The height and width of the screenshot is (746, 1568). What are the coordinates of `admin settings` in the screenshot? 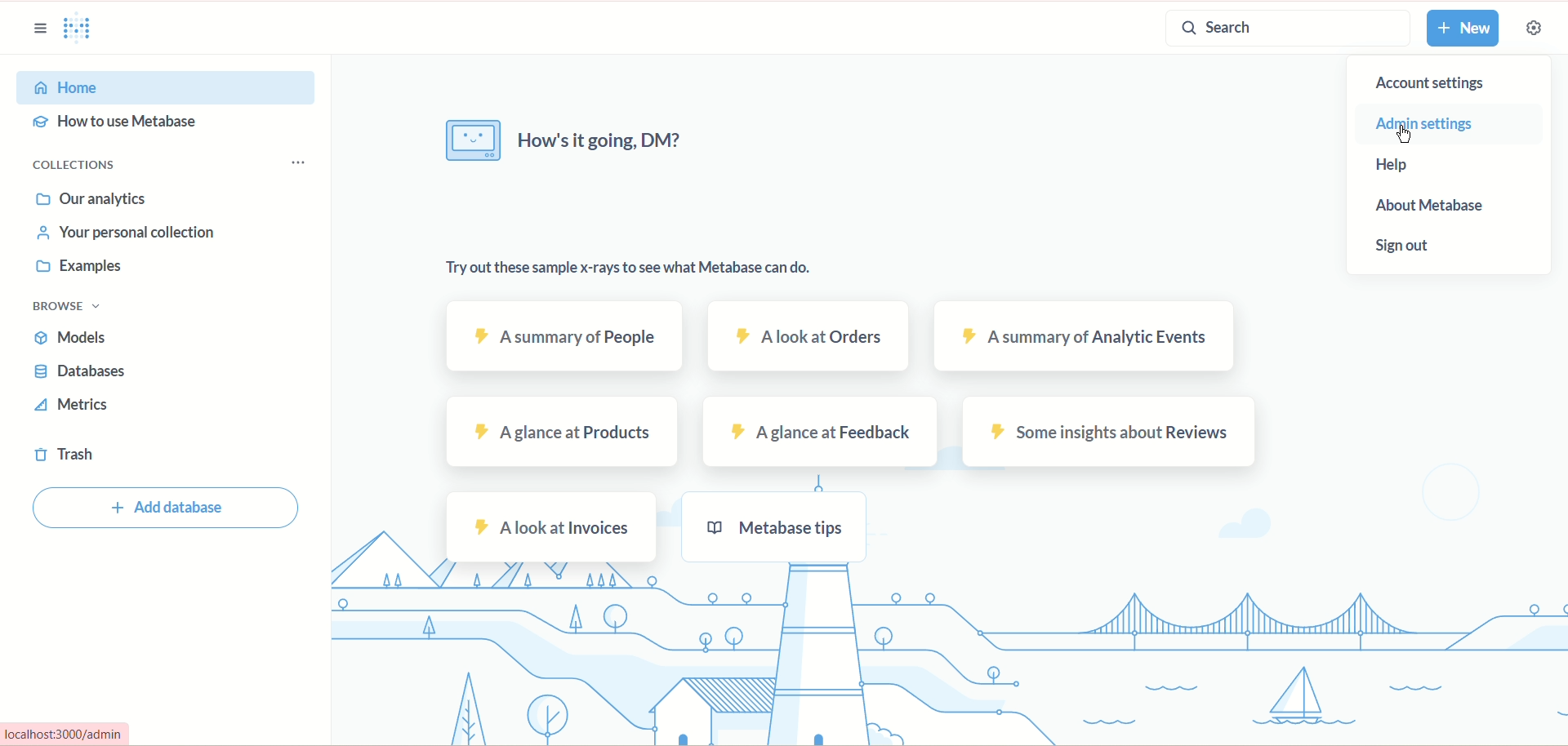 It's located at (1427, 122).